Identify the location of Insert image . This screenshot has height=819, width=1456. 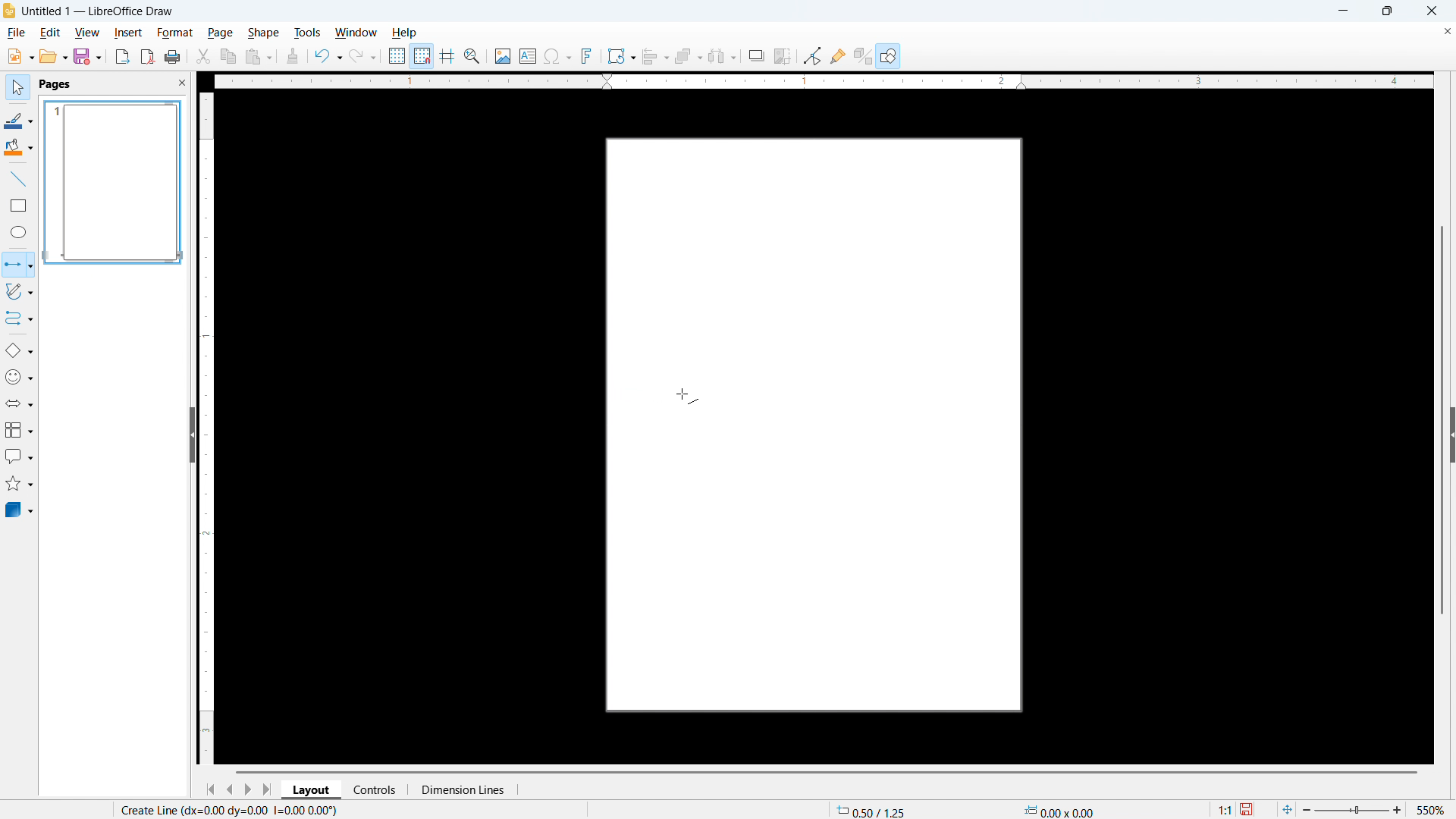
(504, 56).